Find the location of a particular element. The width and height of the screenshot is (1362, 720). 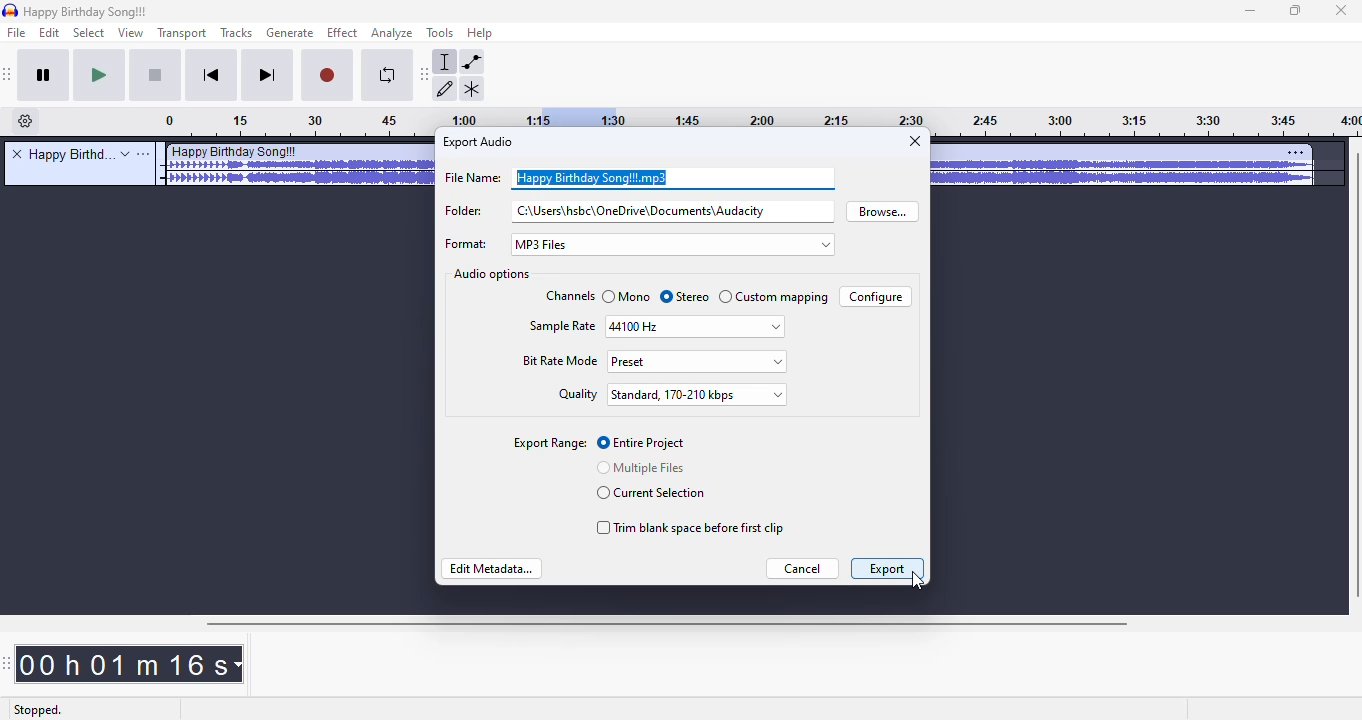

tracks is located at coordinates (237, 32).